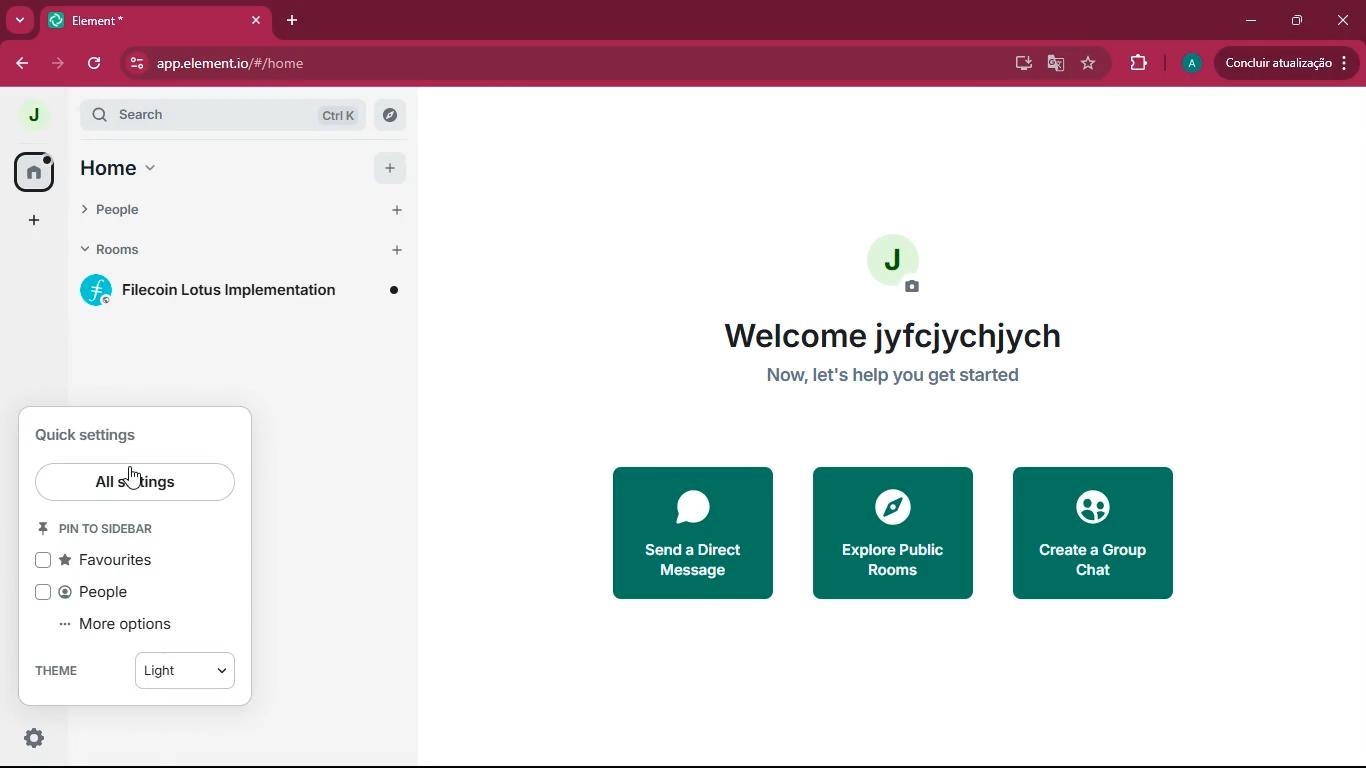 The image size is (1366, 768). What do you see at coordinates (1020, 63) in the screenshot?
I see `desktop` at bounding box center [1020, 63].